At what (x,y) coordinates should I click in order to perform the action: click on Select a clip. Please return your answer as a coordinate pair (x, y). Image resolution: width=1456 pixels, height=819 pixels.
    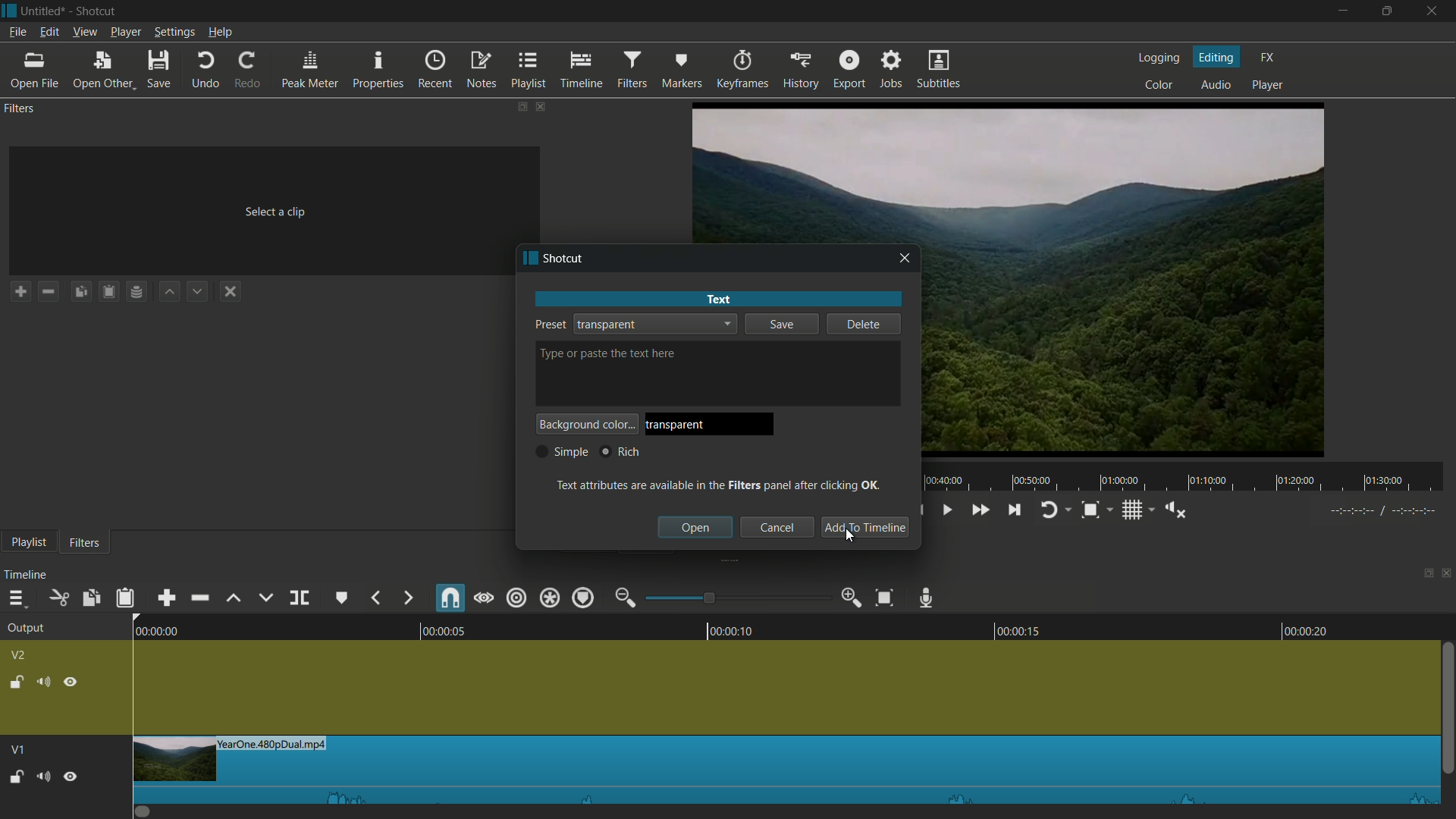
    Looking at the image, I should click on (268, 206).